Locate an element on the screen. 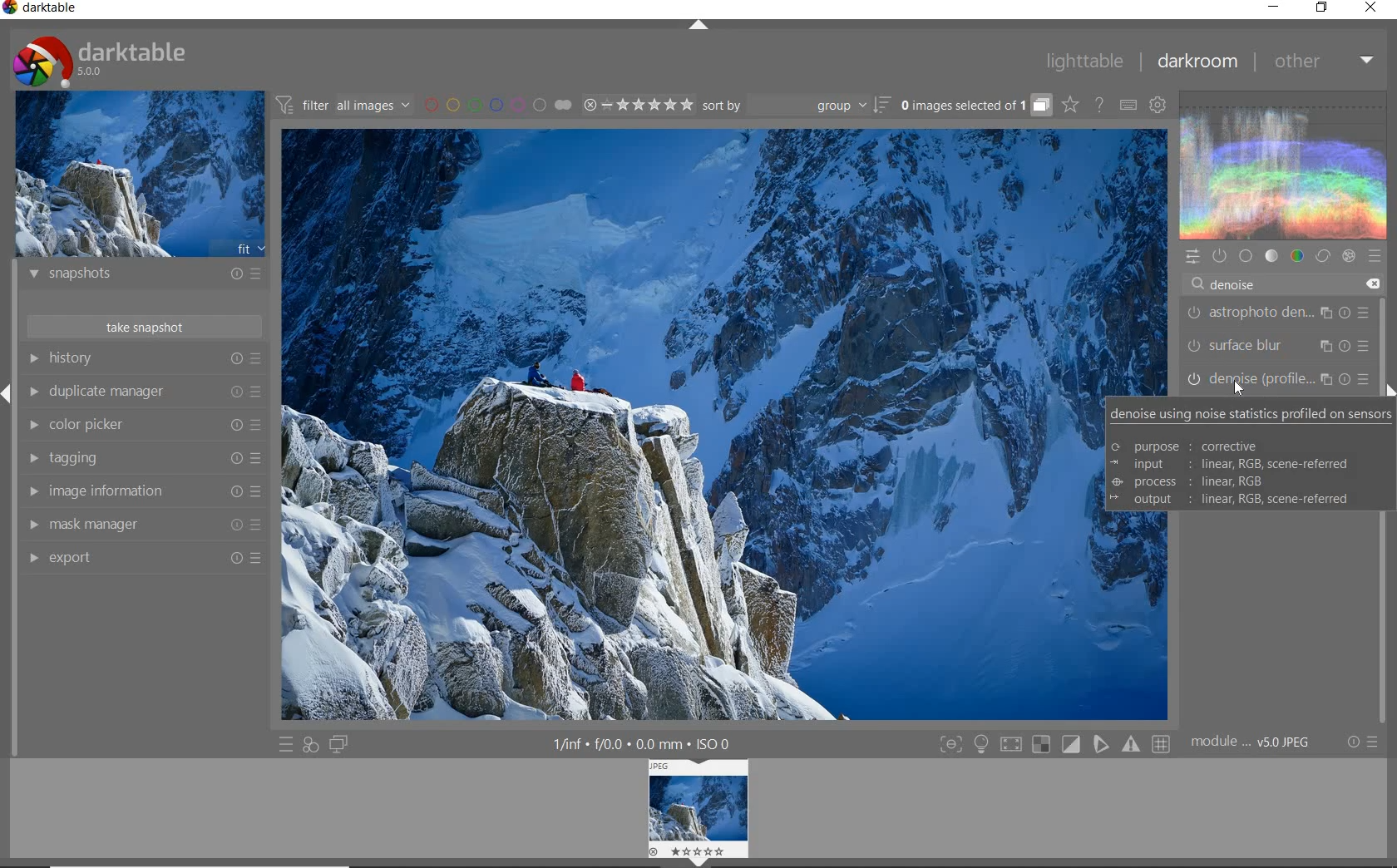  Darktable 5.0.0 is located at coordinates (100, 62).